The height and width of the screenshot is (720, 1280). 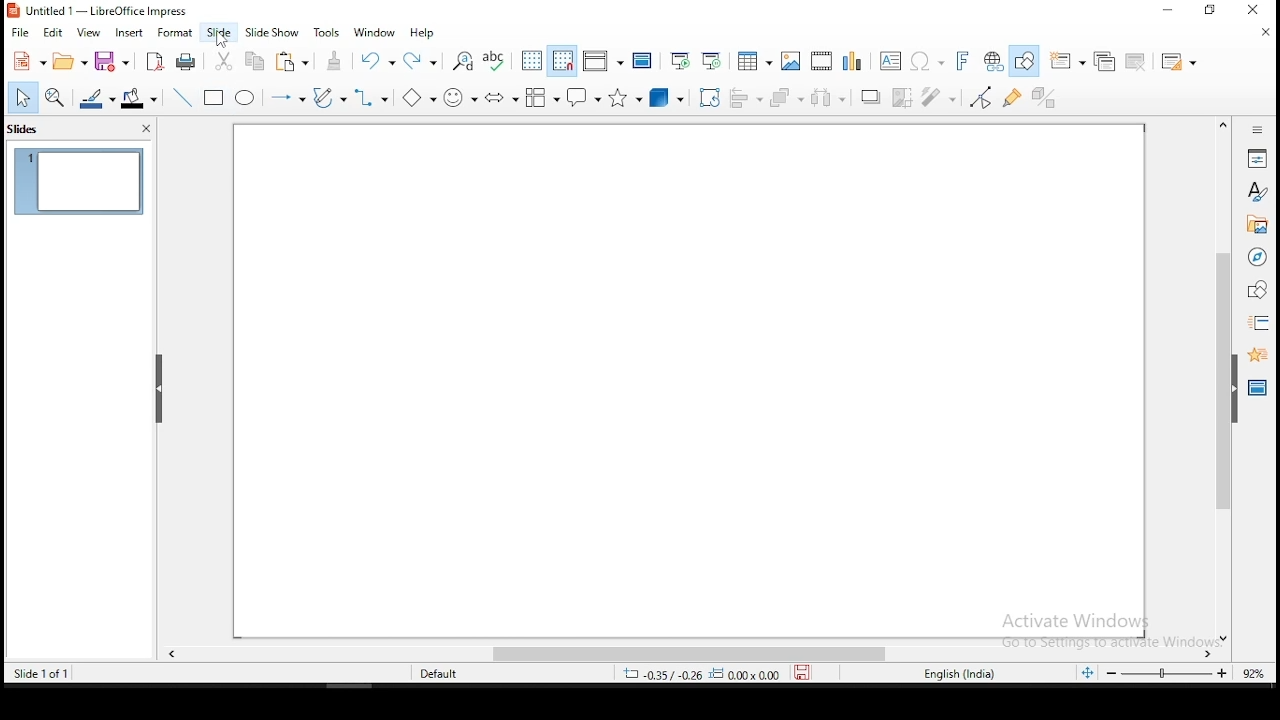 What do you see at coordinates (26, 129) in the screenshot?
I see `slides` at bounding box center [26, 129].